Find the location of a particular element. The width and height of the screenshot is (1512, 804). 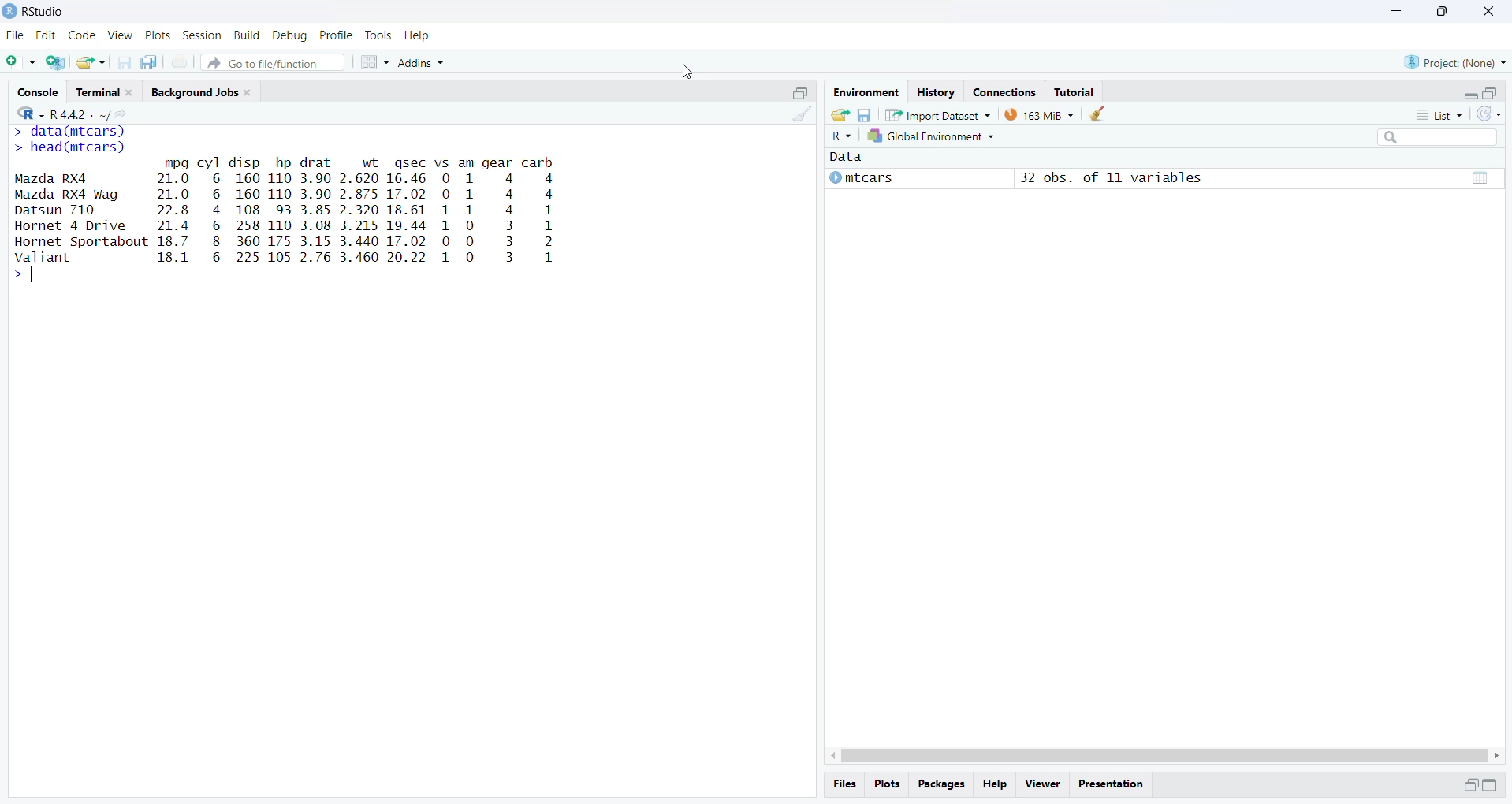

Import Dataset is located at coordinates (939, 114).